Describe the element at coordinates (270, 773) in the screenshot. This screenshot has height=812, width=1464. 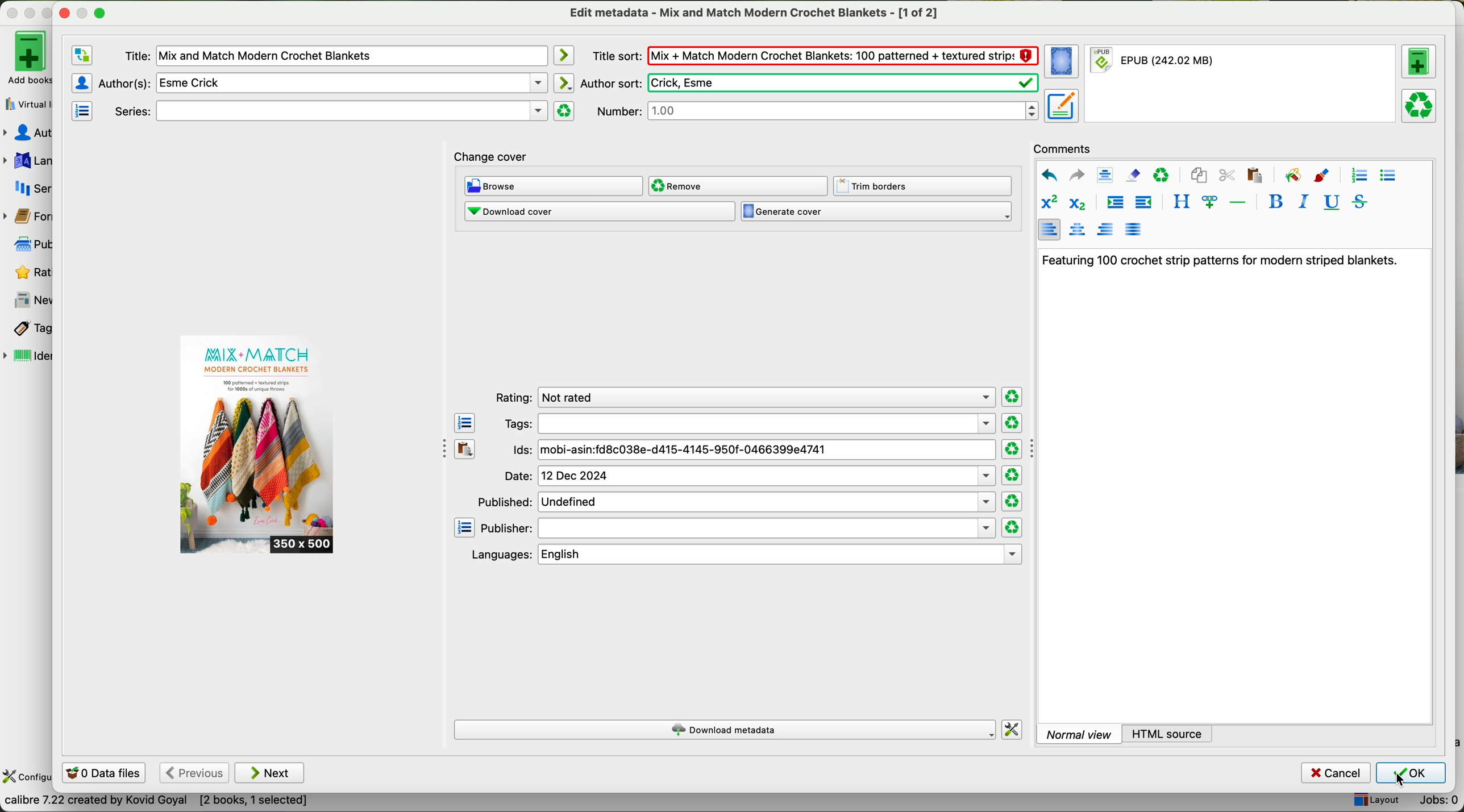
I see `next` at that location.